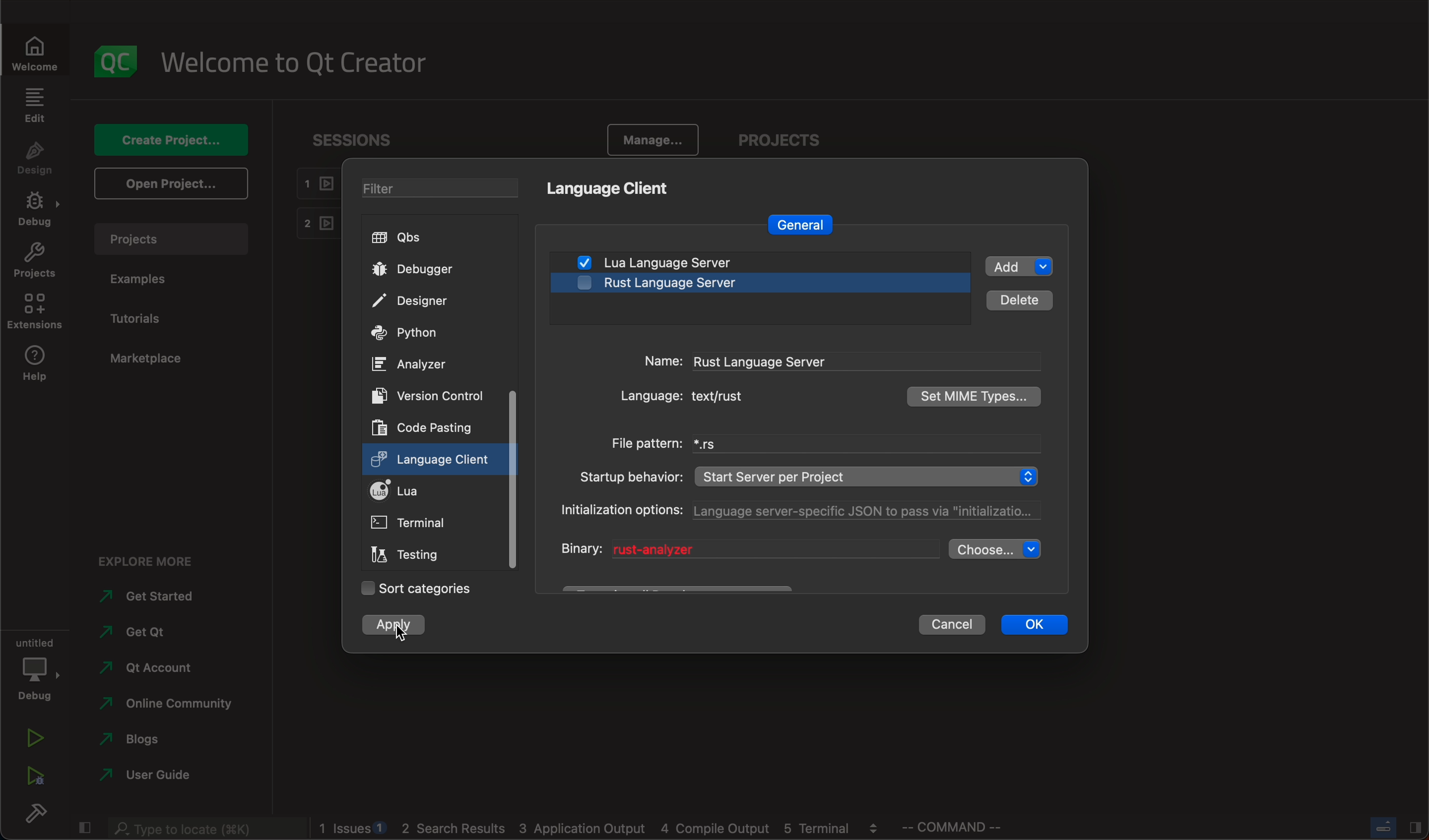  What do you see at coordinates (171, 239) in the screenshot?
I see `projects` at bounding box center [171, 239].